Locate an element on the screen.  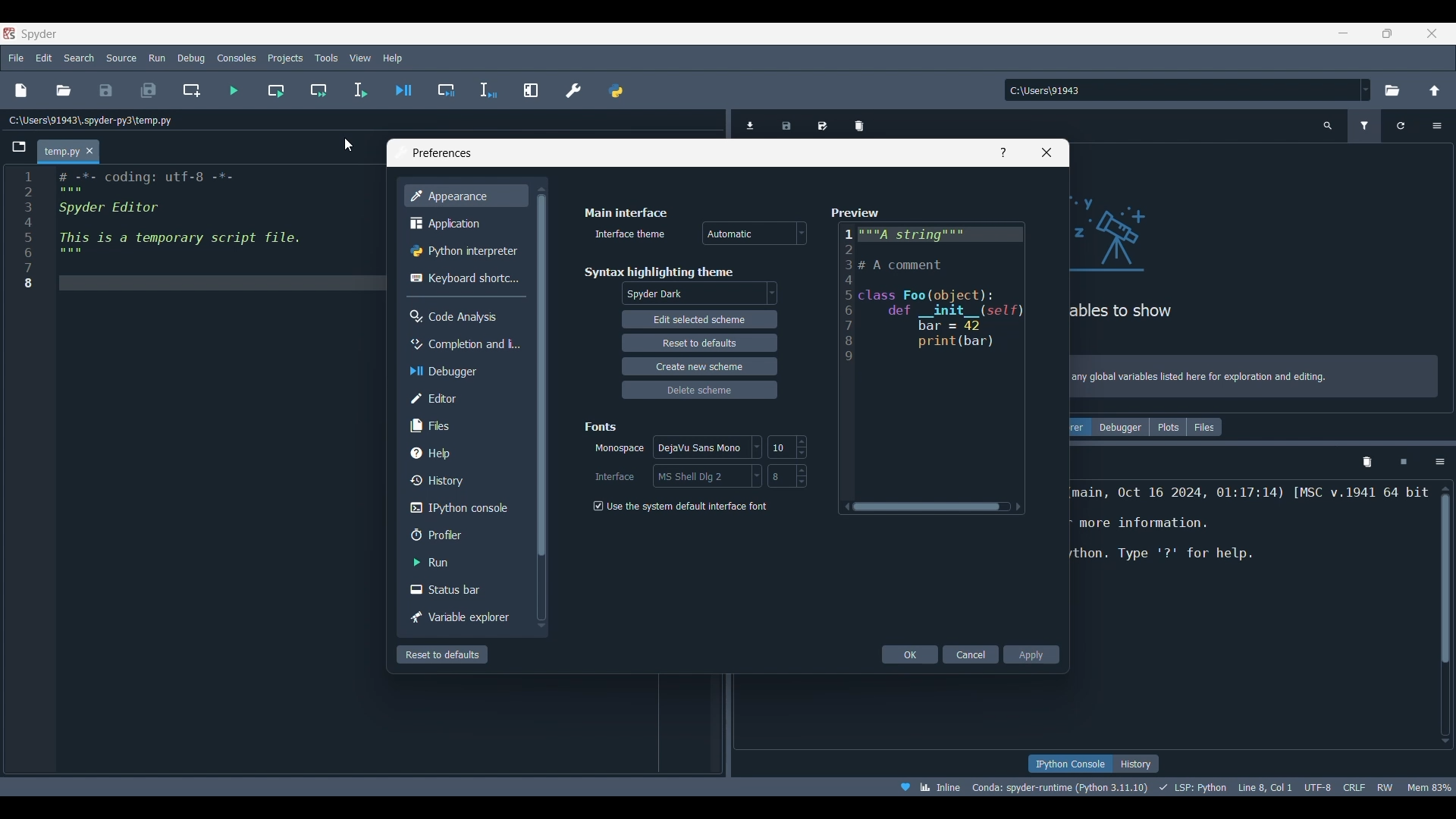
RW is located at coordinates (1386, 788).